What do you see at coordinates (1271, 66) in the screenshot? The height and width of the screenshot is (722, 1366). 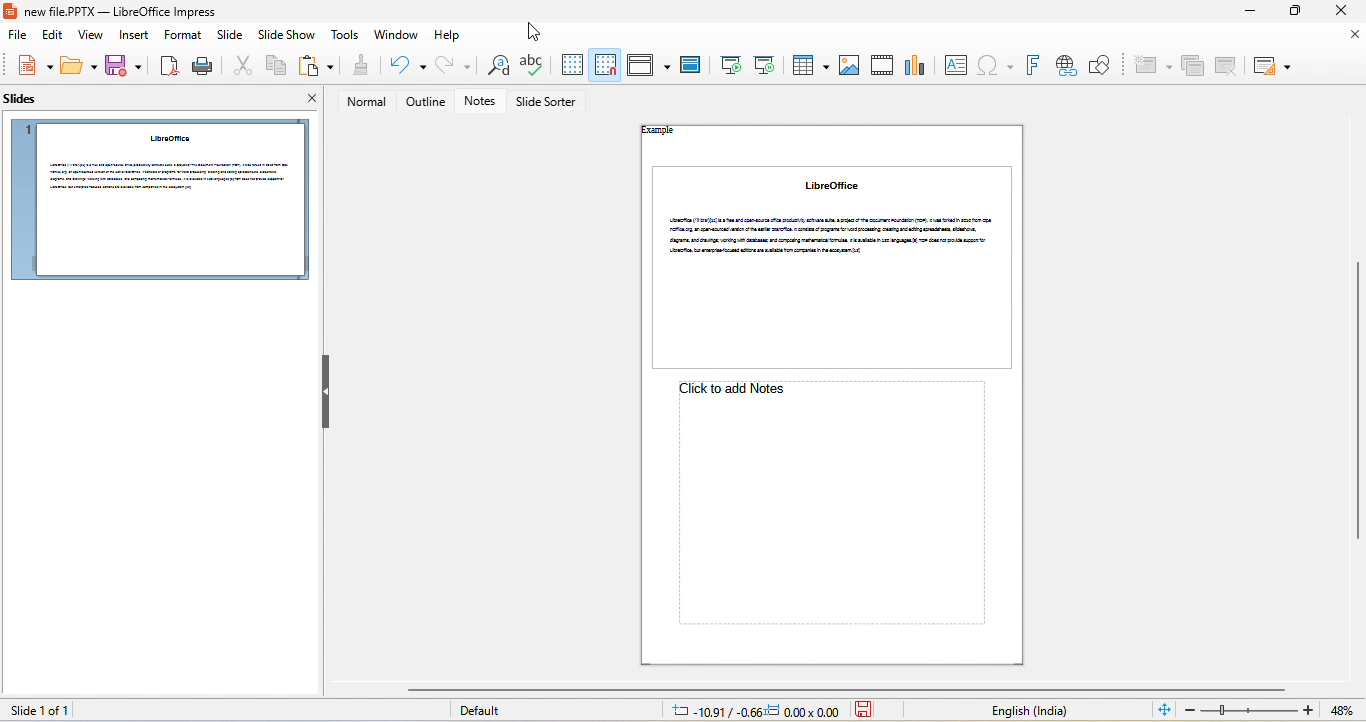 I see `slide layout` at bounding box center [1271, 66].